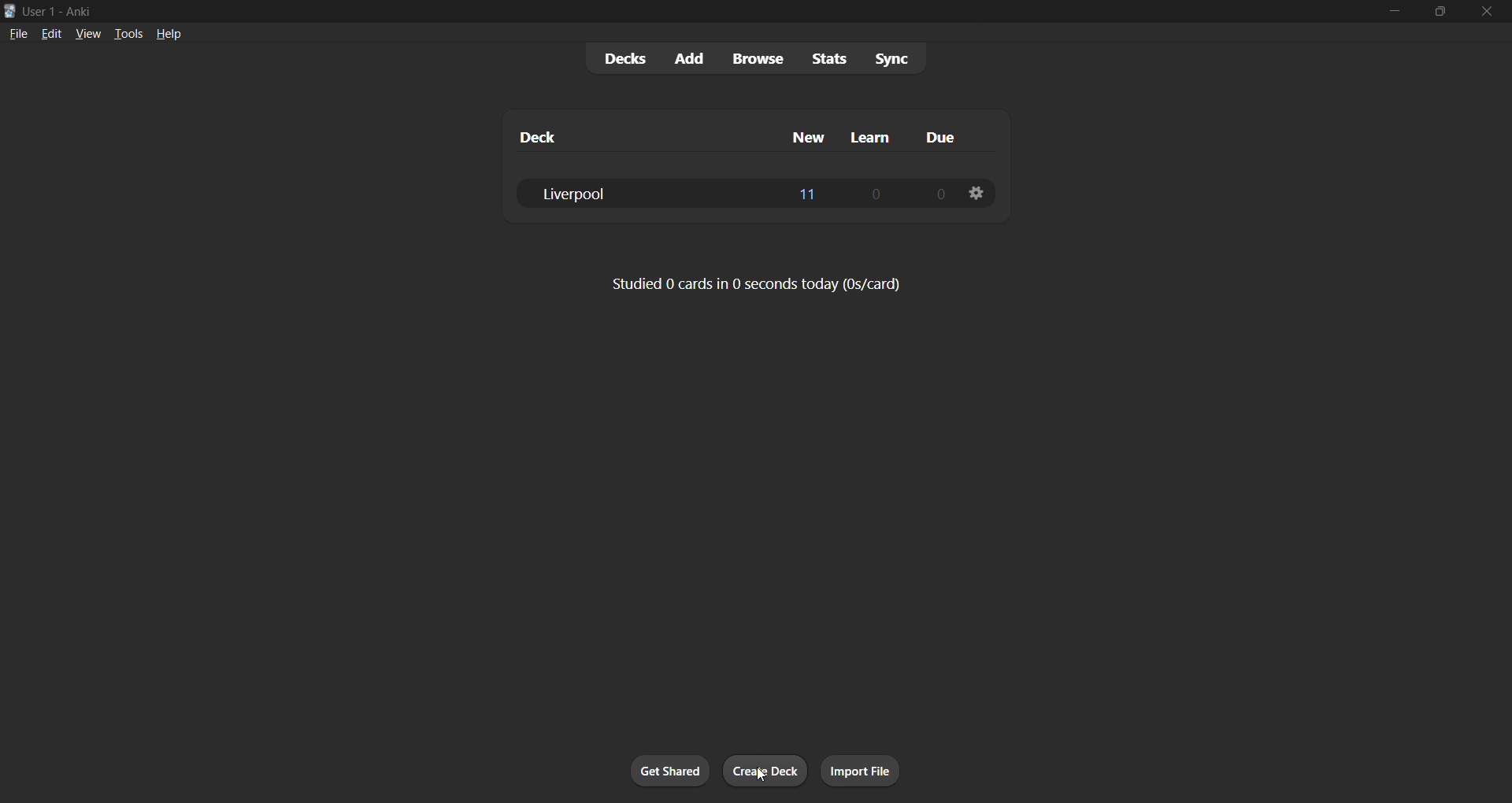 Image resolution: width=1512 pixels, height=803 pixels. What do you see at coordinates (636, 137) in the screenshot?
I see `deck column` at bounding box center [636, 137].